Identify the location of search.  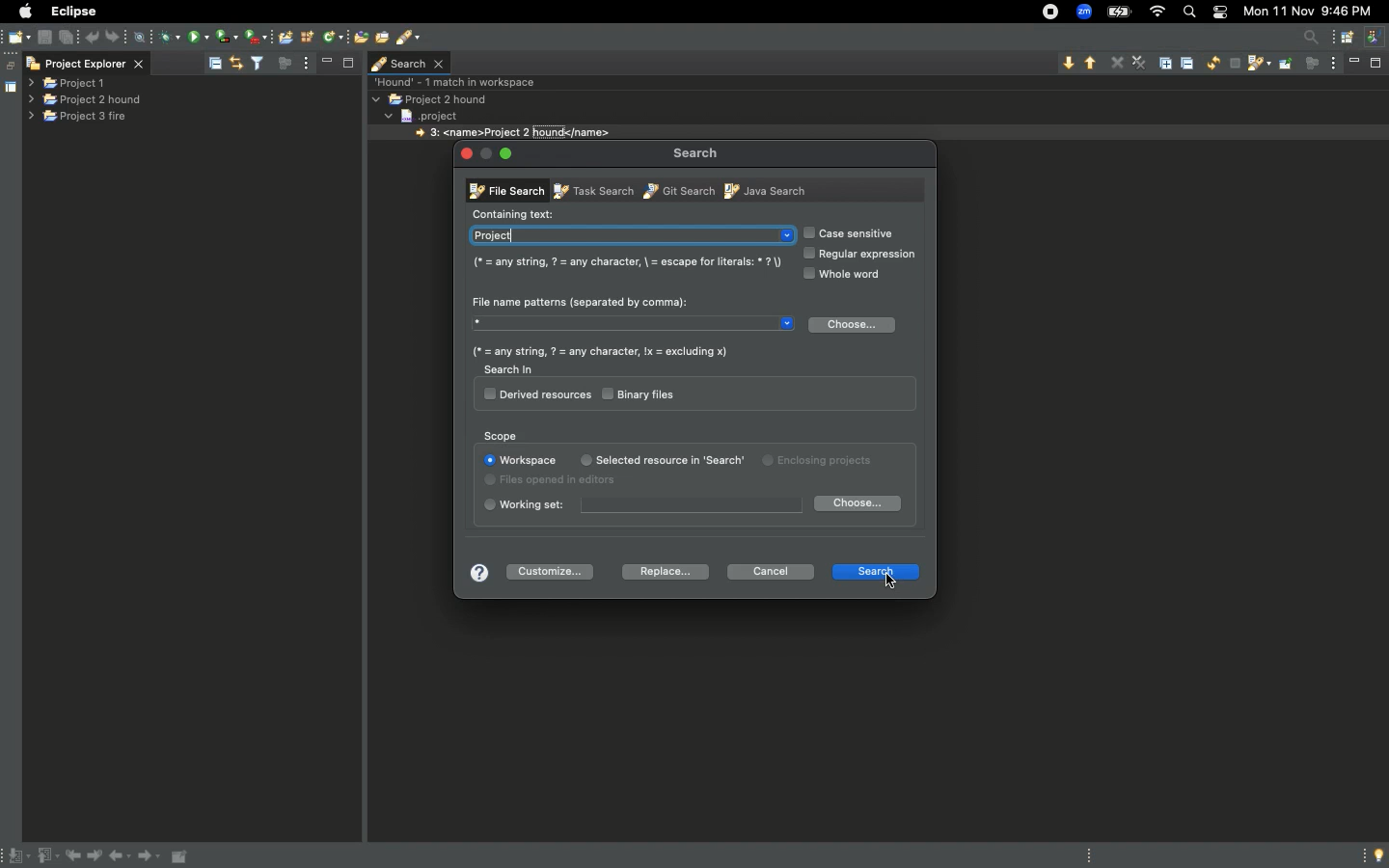
(410, 39).